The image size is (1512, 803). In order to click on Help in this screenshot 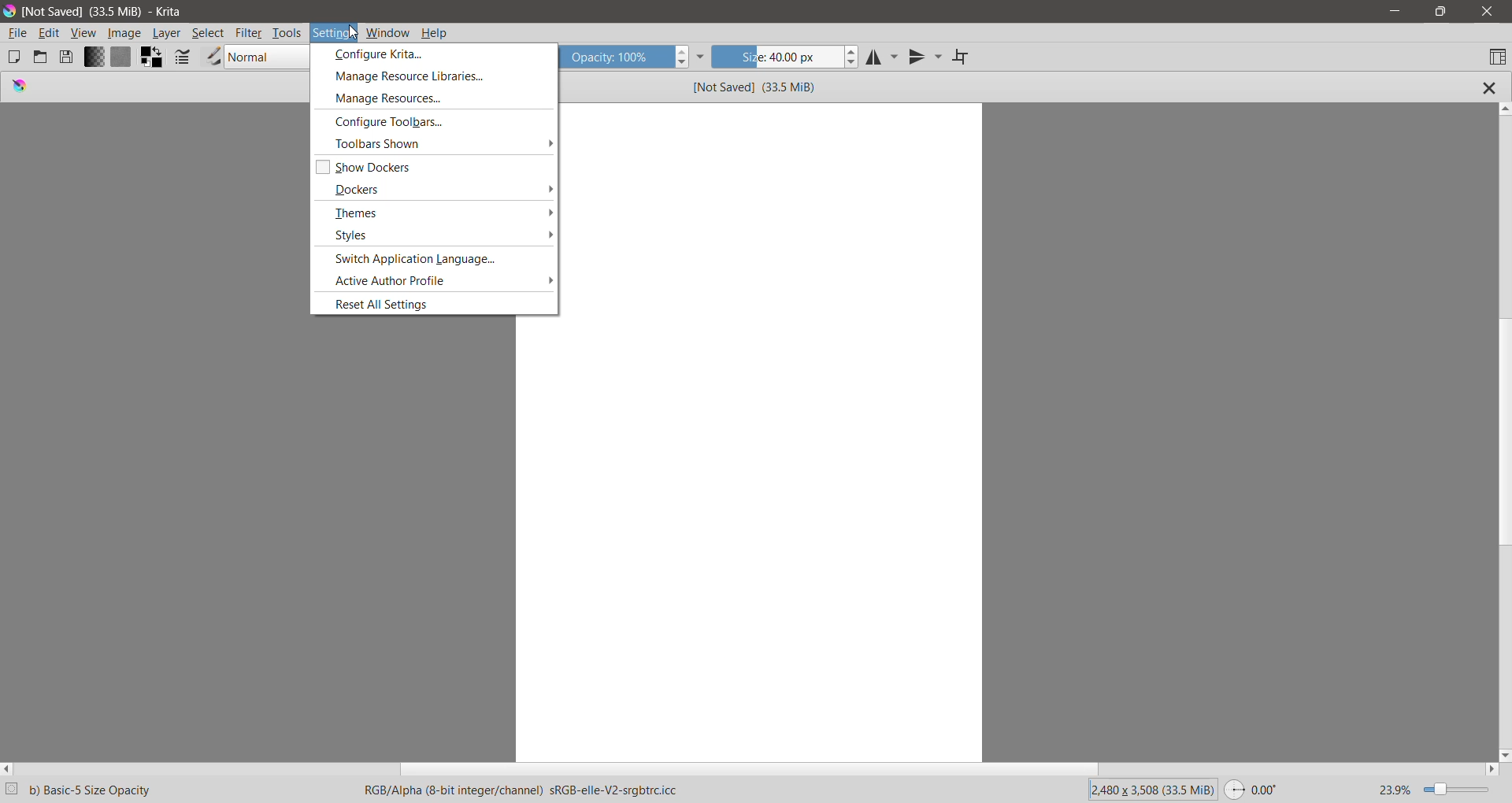, I will do `click(434, 32)`.